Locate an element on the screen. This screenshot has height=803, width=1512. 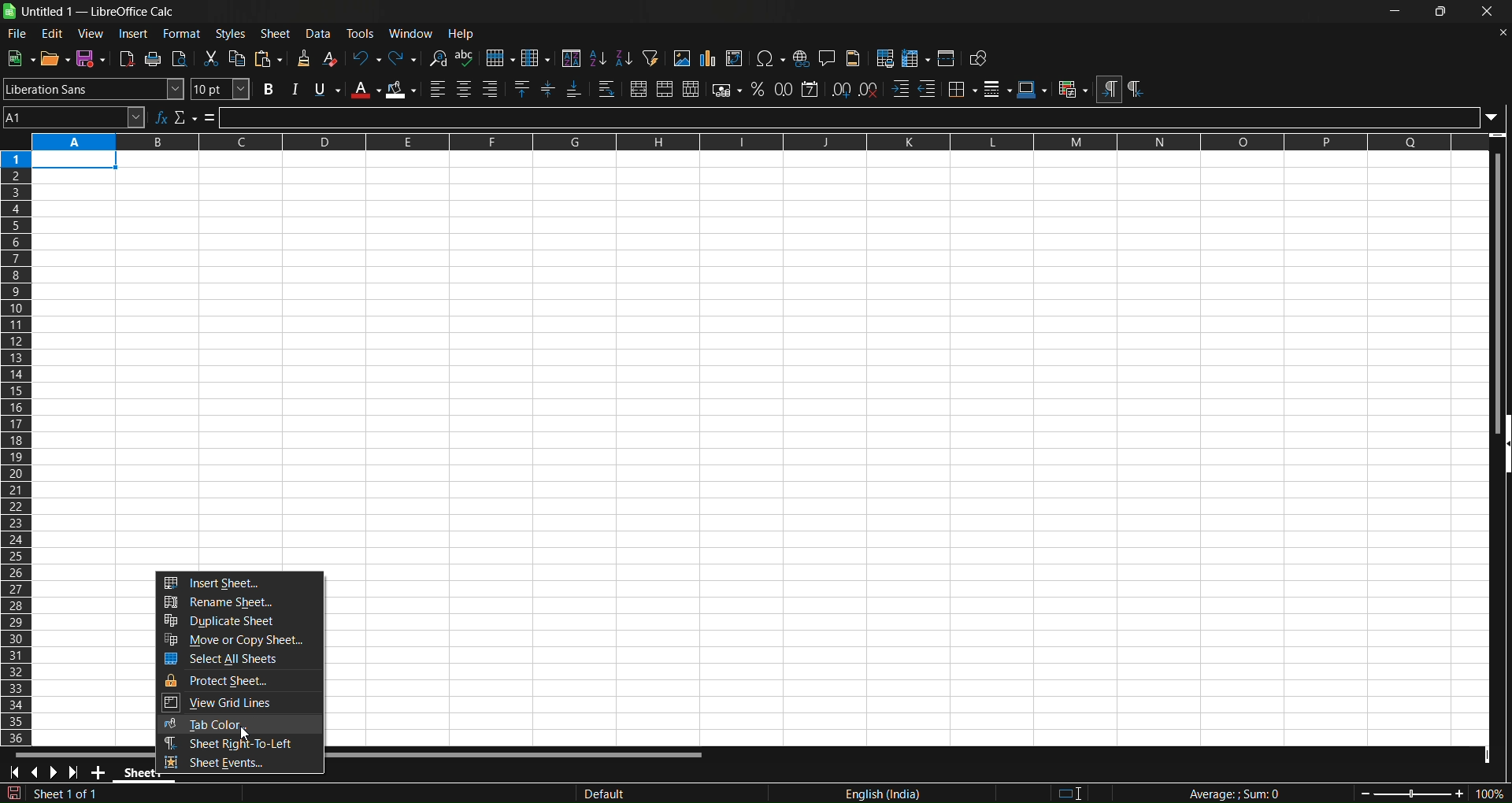
remove decimal place is located at coordinates (869, 88).